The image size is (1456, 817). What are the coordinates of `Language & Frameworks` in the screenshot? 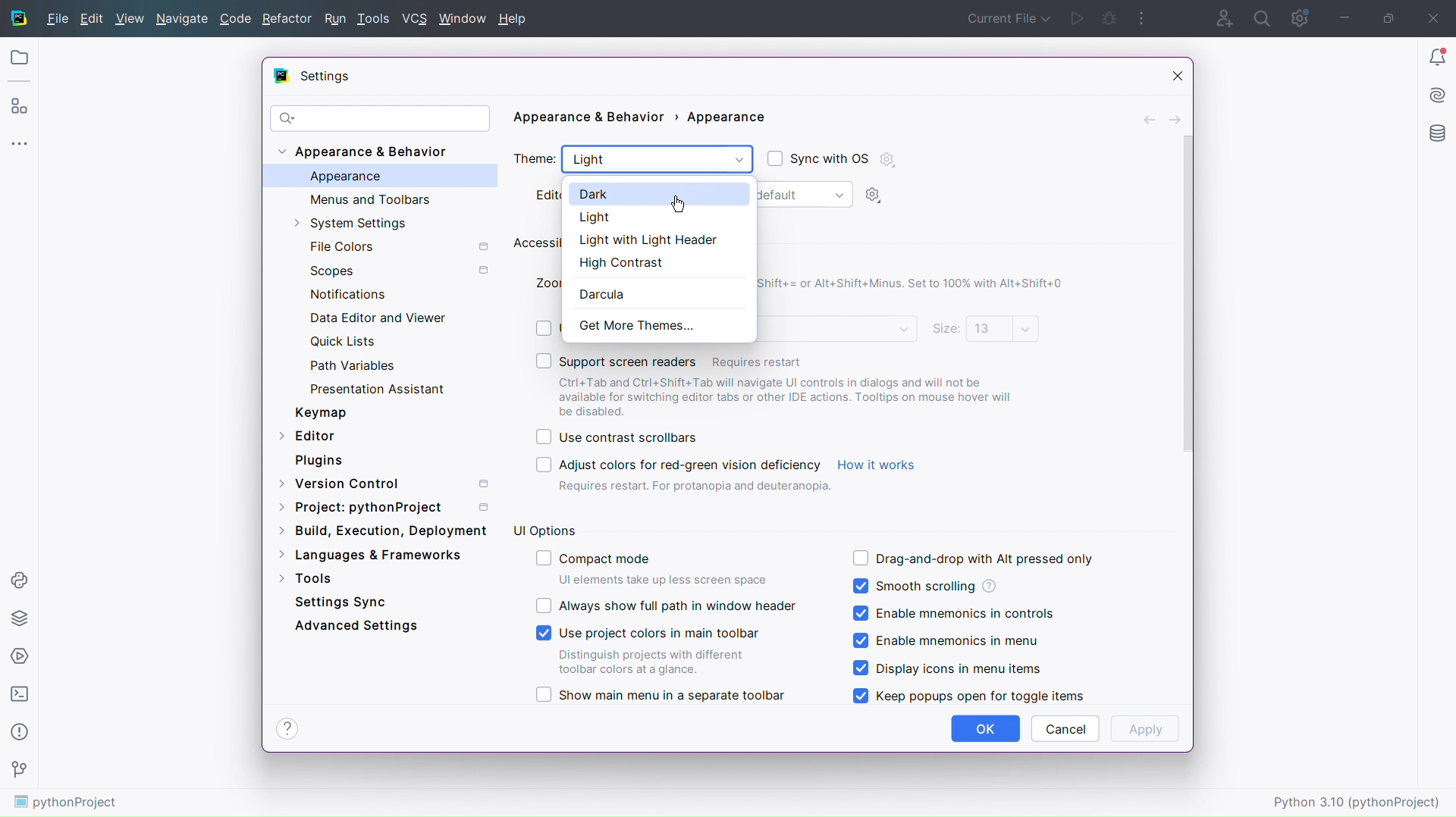 It's located at (370, 556).